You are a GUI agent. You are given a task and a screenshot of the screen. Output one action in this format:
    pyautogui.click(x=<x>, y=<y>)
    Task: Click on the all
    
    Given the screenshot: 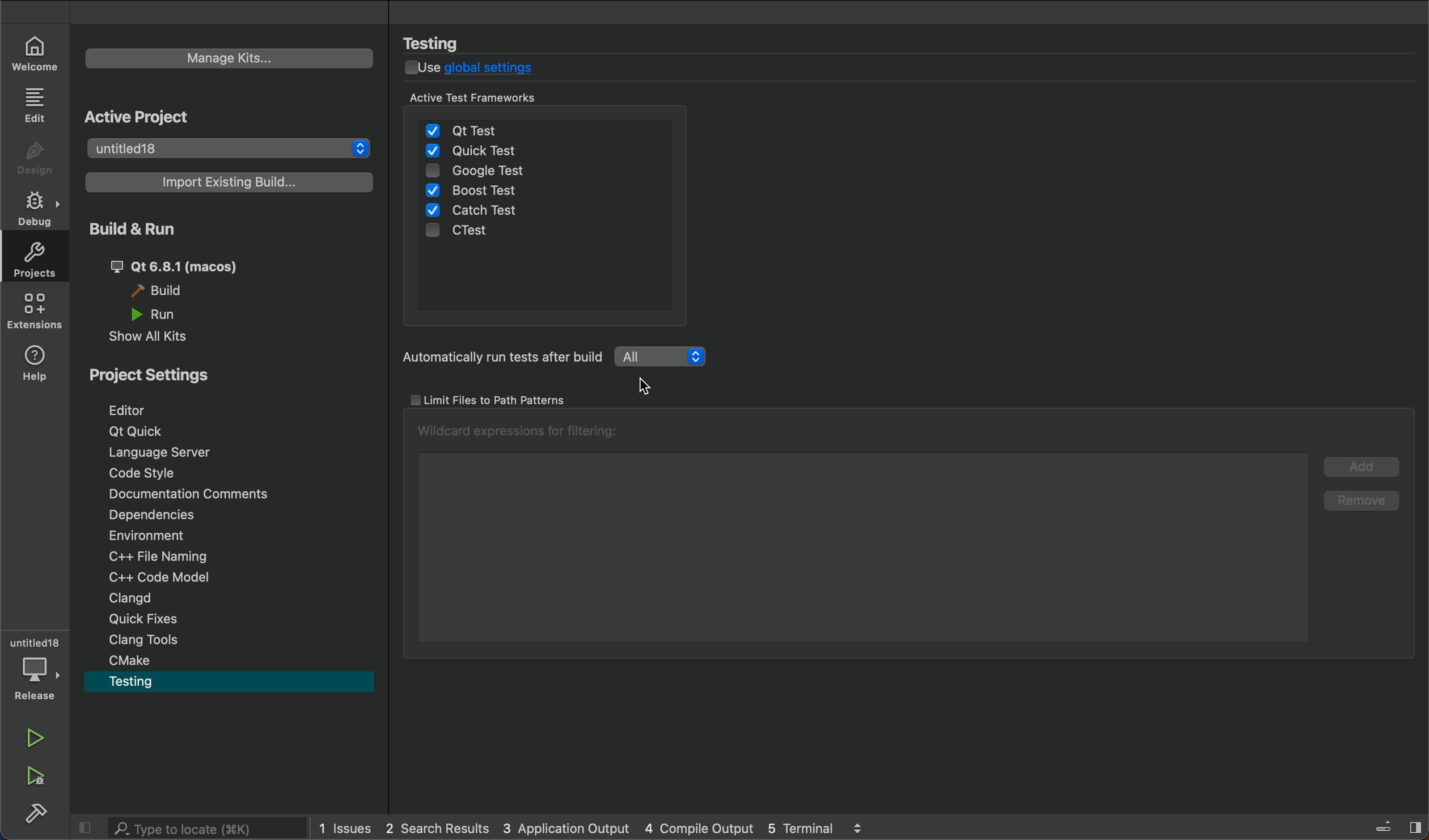 What is the action you would take?
    pyautogui.click(x=661, y=356)
    